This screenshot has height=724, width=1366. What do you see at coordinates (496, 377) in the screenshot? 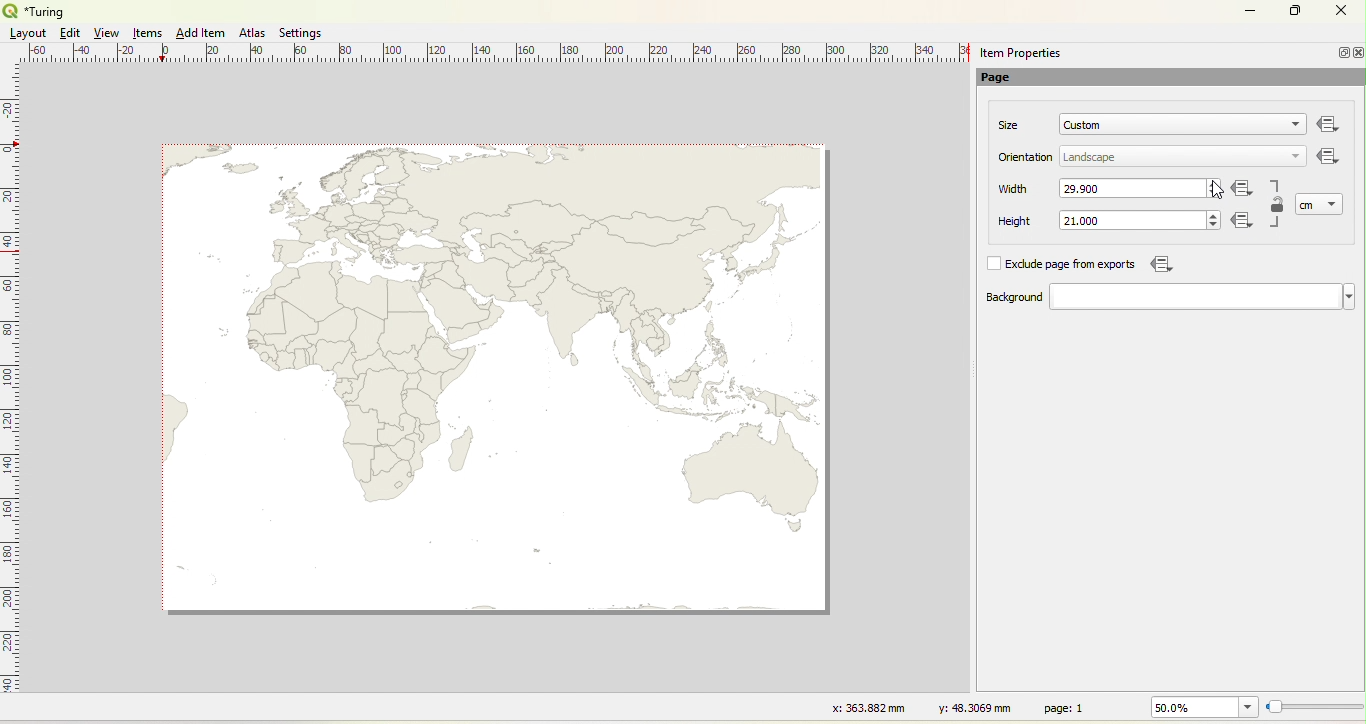
I see `Map` at bounding box center [496, 377].